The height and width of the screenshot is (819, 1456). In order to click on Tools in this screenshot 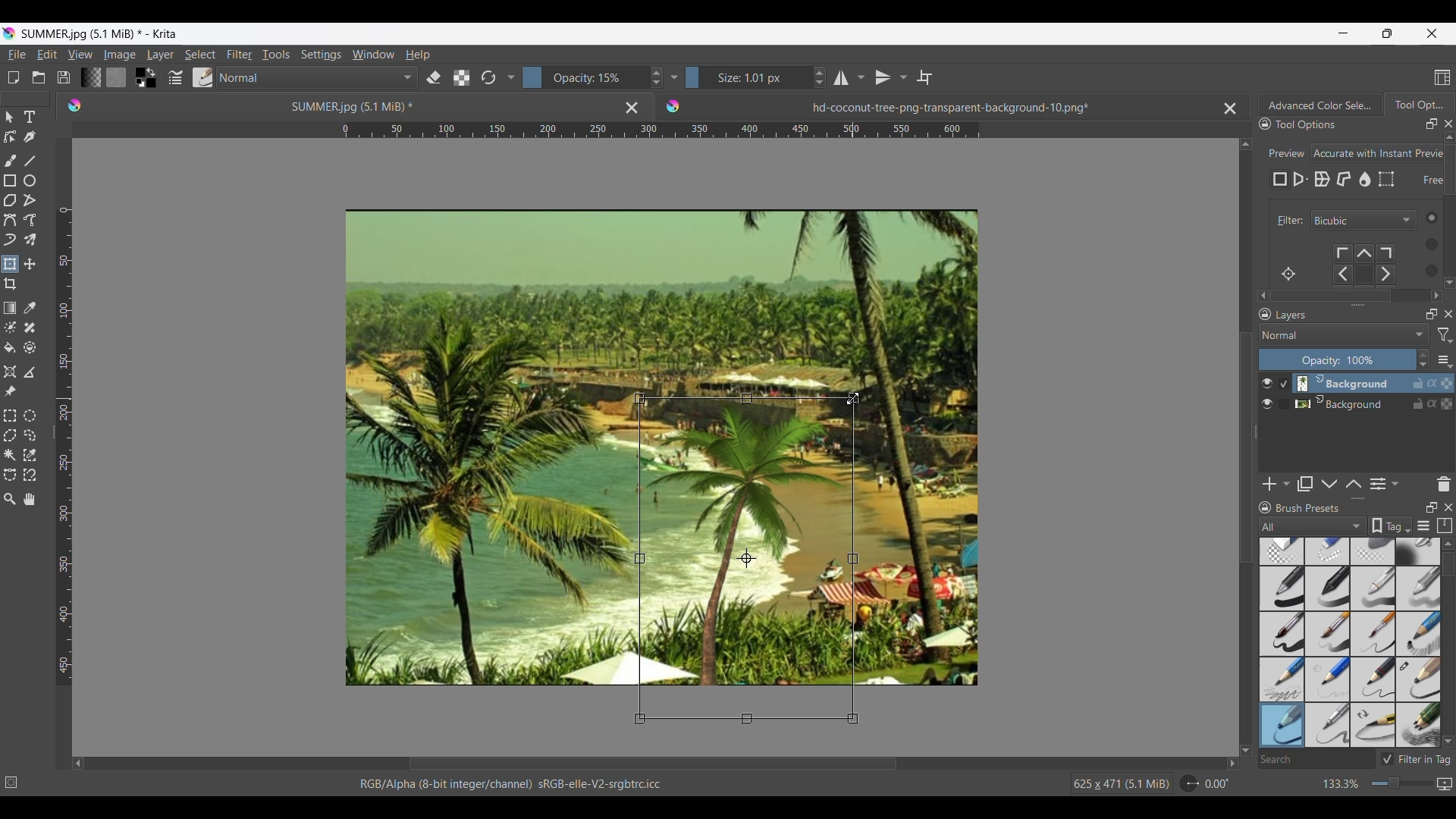, I will do `click(275, 54)`.